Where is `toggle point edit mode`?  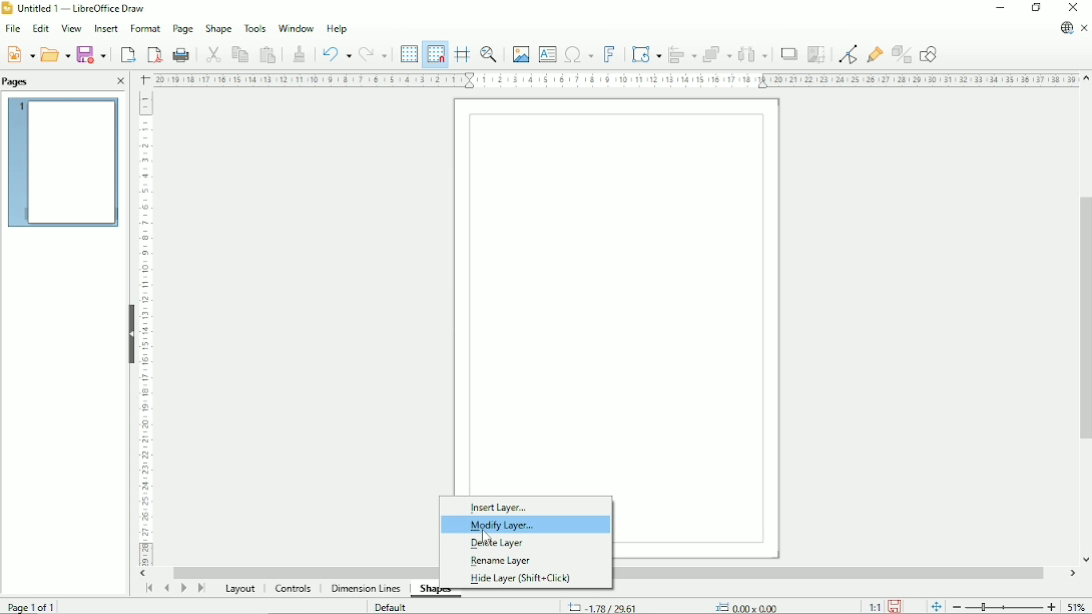 toggle point edit mode is located at coordinates (847, 54).